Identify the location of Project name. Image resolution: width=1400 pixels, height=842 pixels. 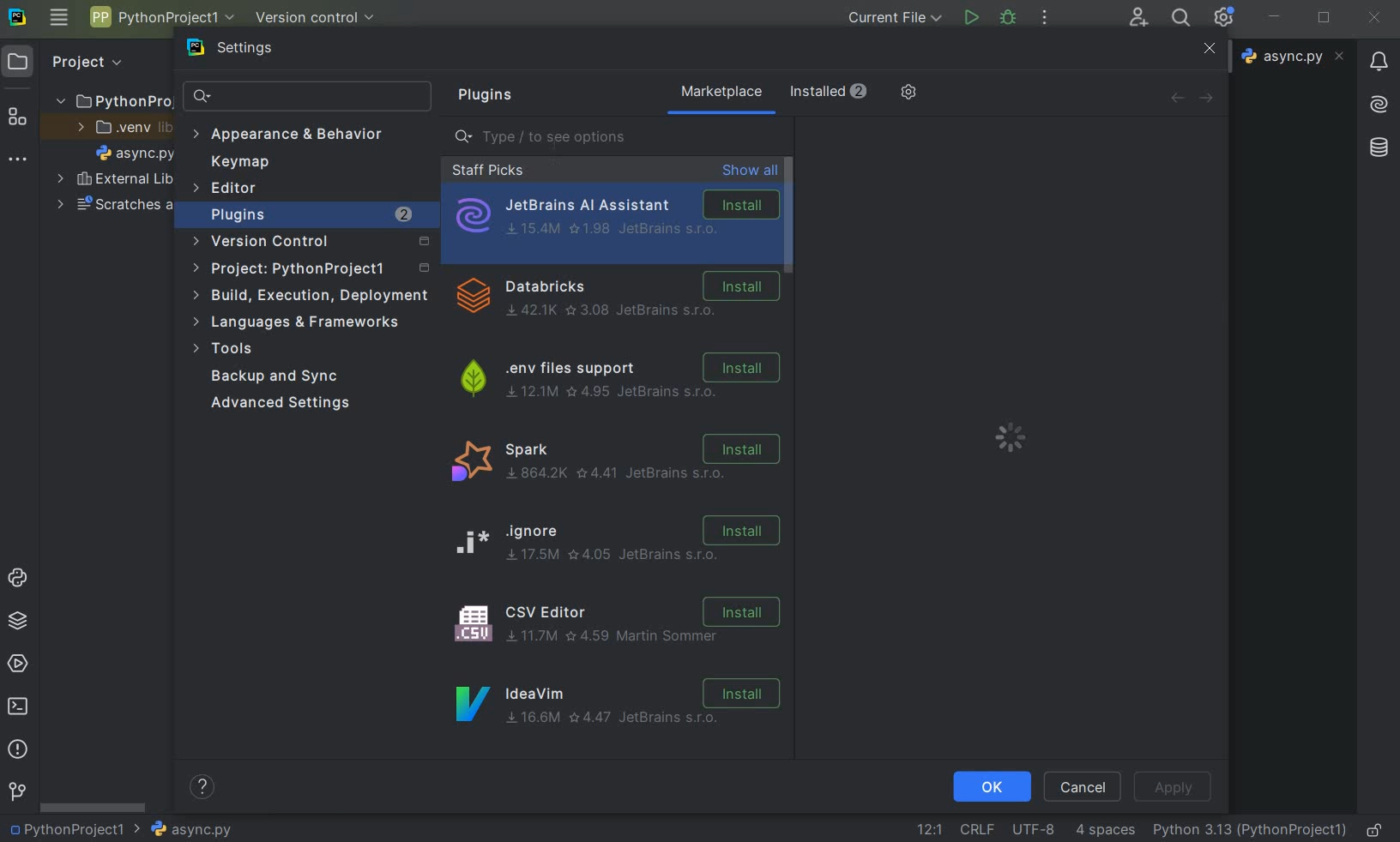
(75, 828).